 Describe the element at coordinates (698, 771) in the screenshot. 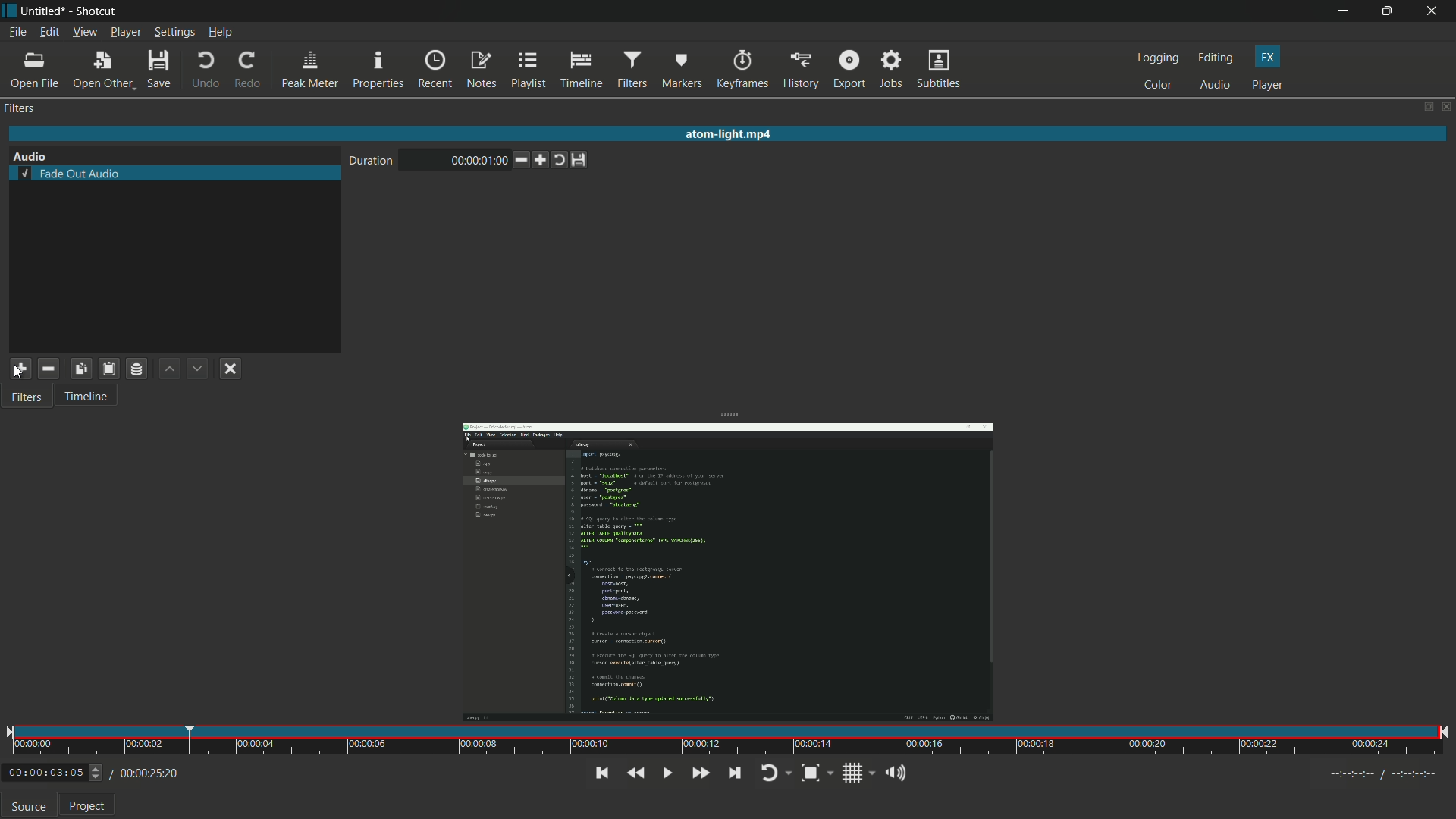

I see `quickly play forward` at that location.